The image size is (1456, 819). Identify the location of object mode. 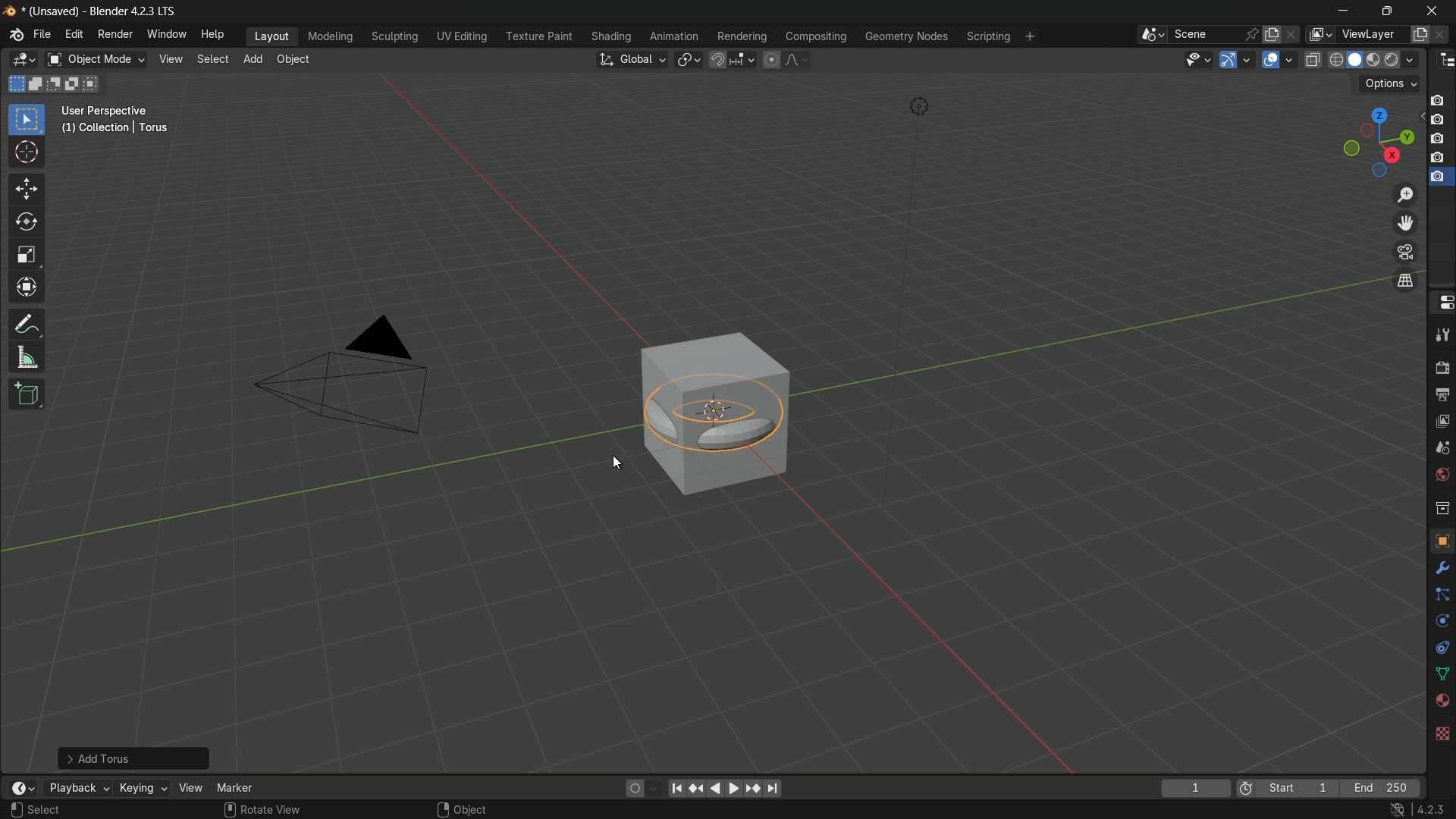
(96, 60).